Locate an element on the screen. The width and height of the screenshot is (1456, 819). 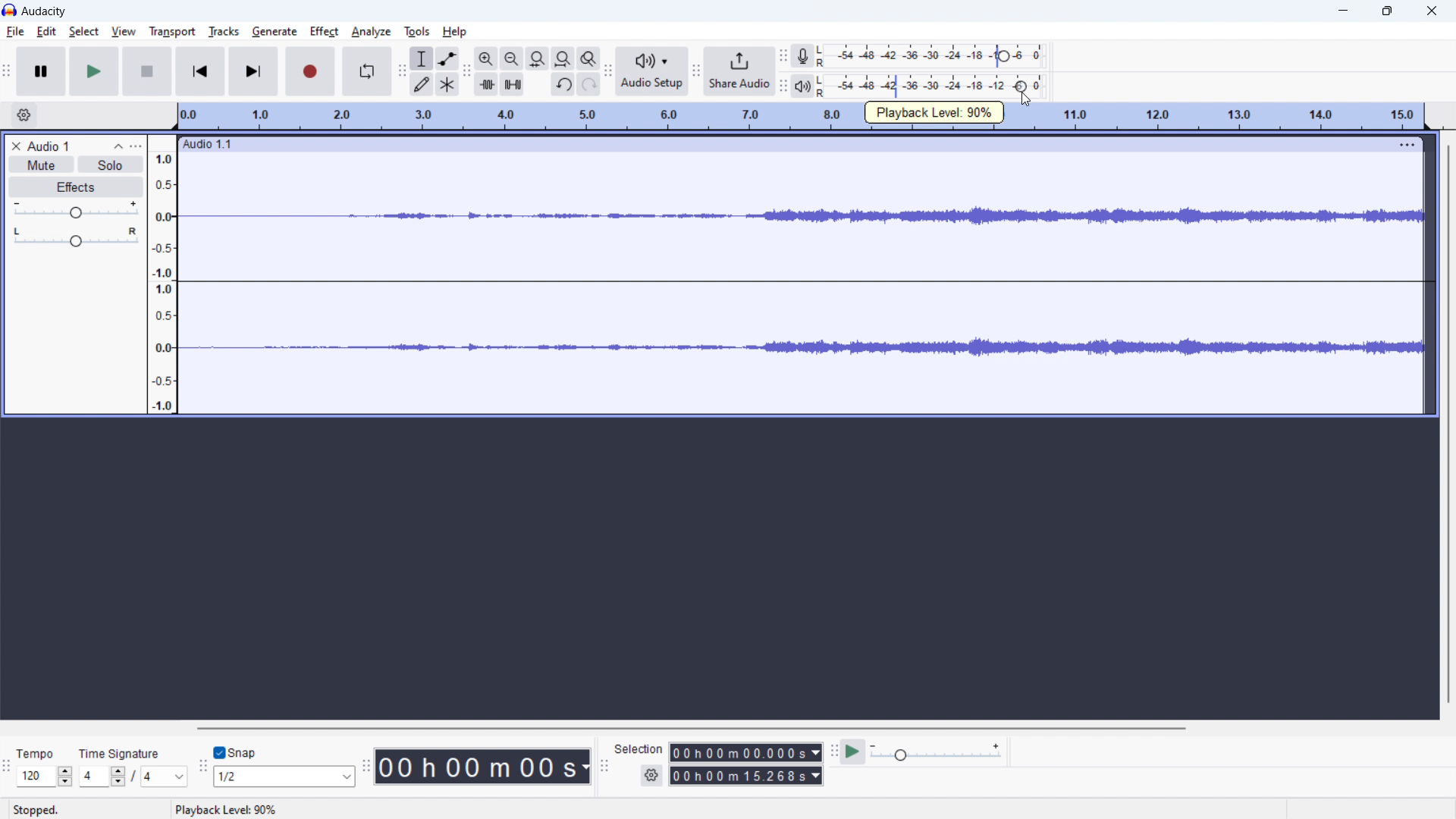
skip to last is located at coordinates (253, 71).